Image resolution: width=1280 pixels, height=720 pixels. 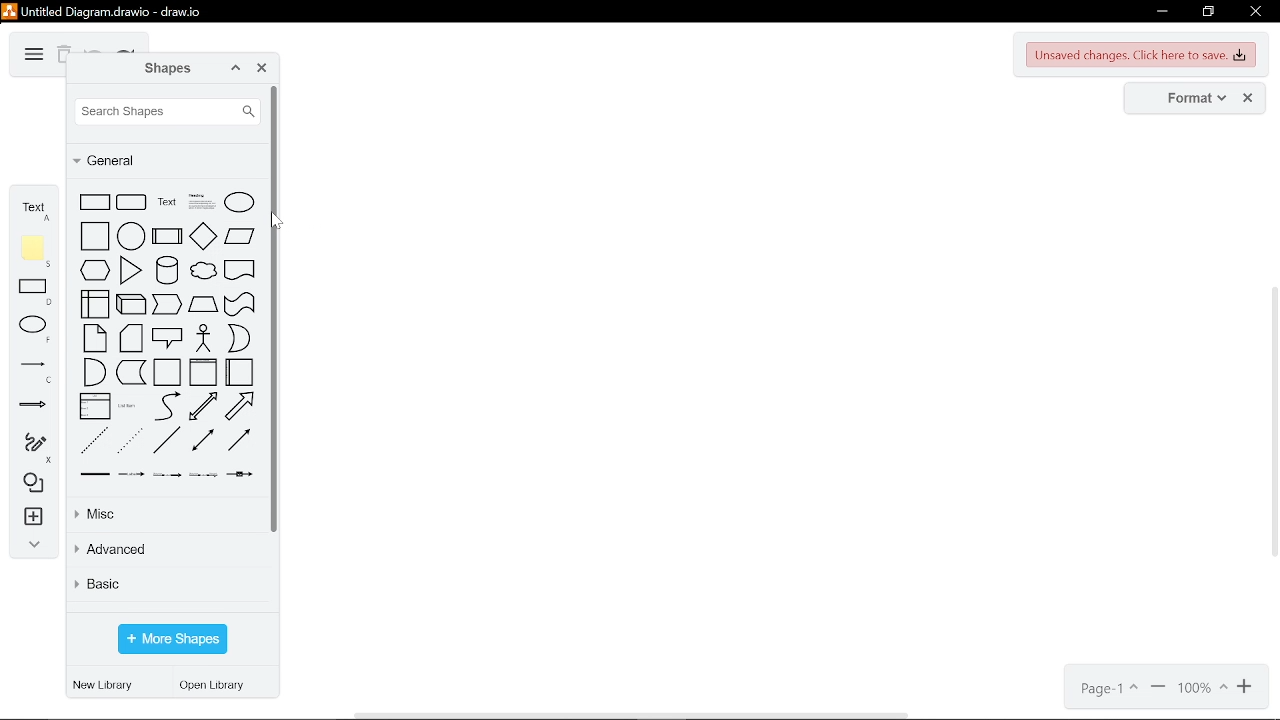 I want to click on text, so click(x=34, y=208).